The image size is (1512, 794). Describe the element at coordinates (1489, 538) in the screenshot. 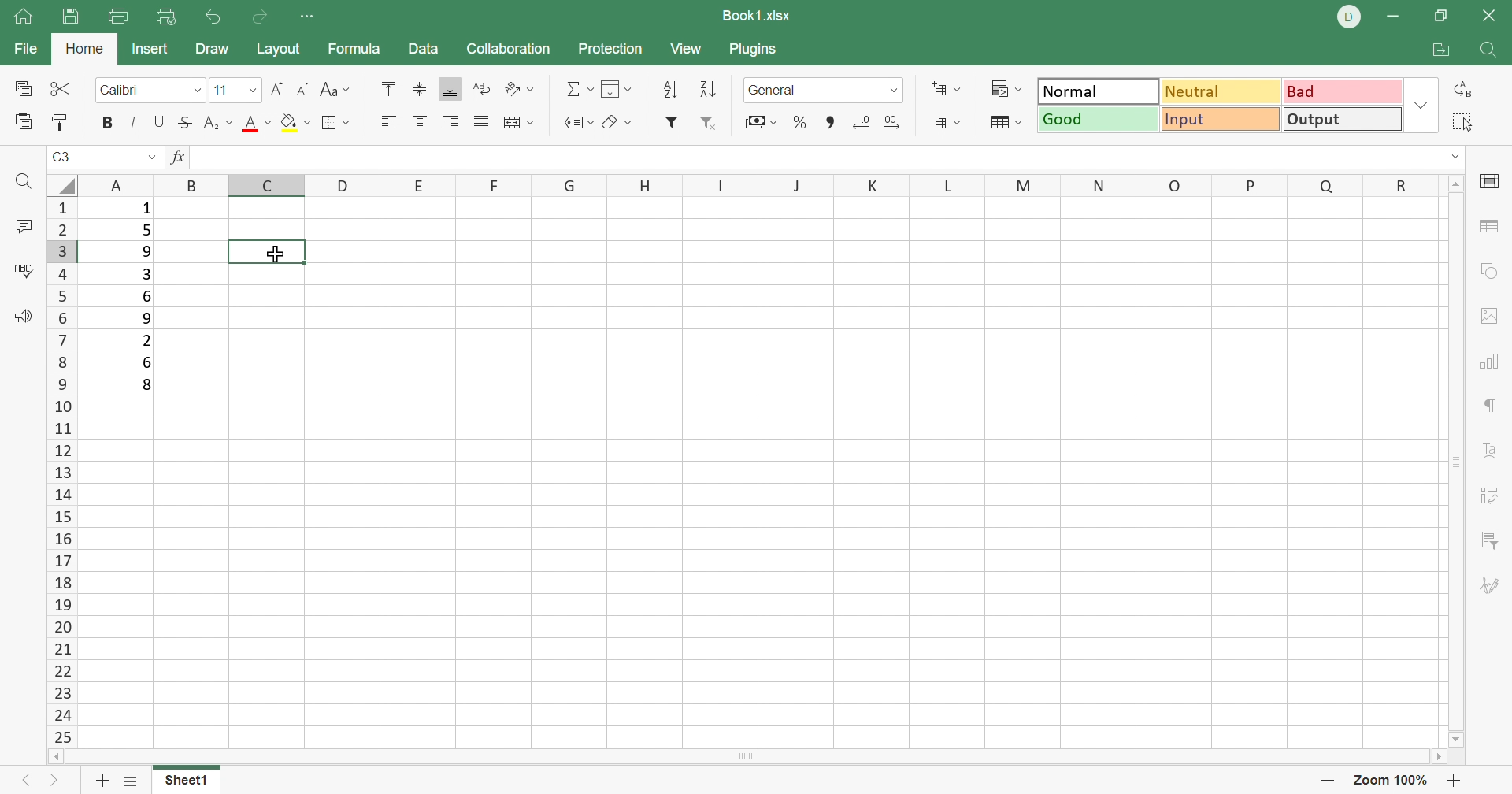

I see `Slicer settings` at that location.